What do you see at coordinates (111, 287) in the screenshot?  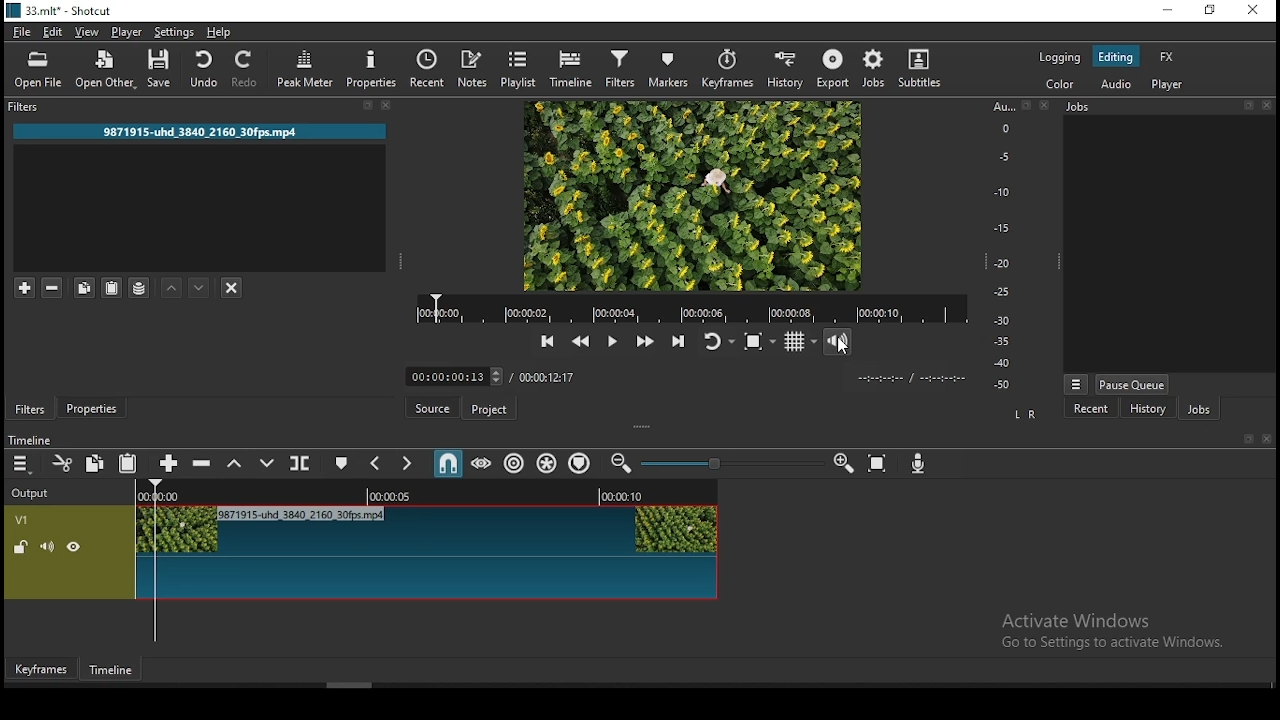 I see `paste filter` at bounding box center [111, 287].